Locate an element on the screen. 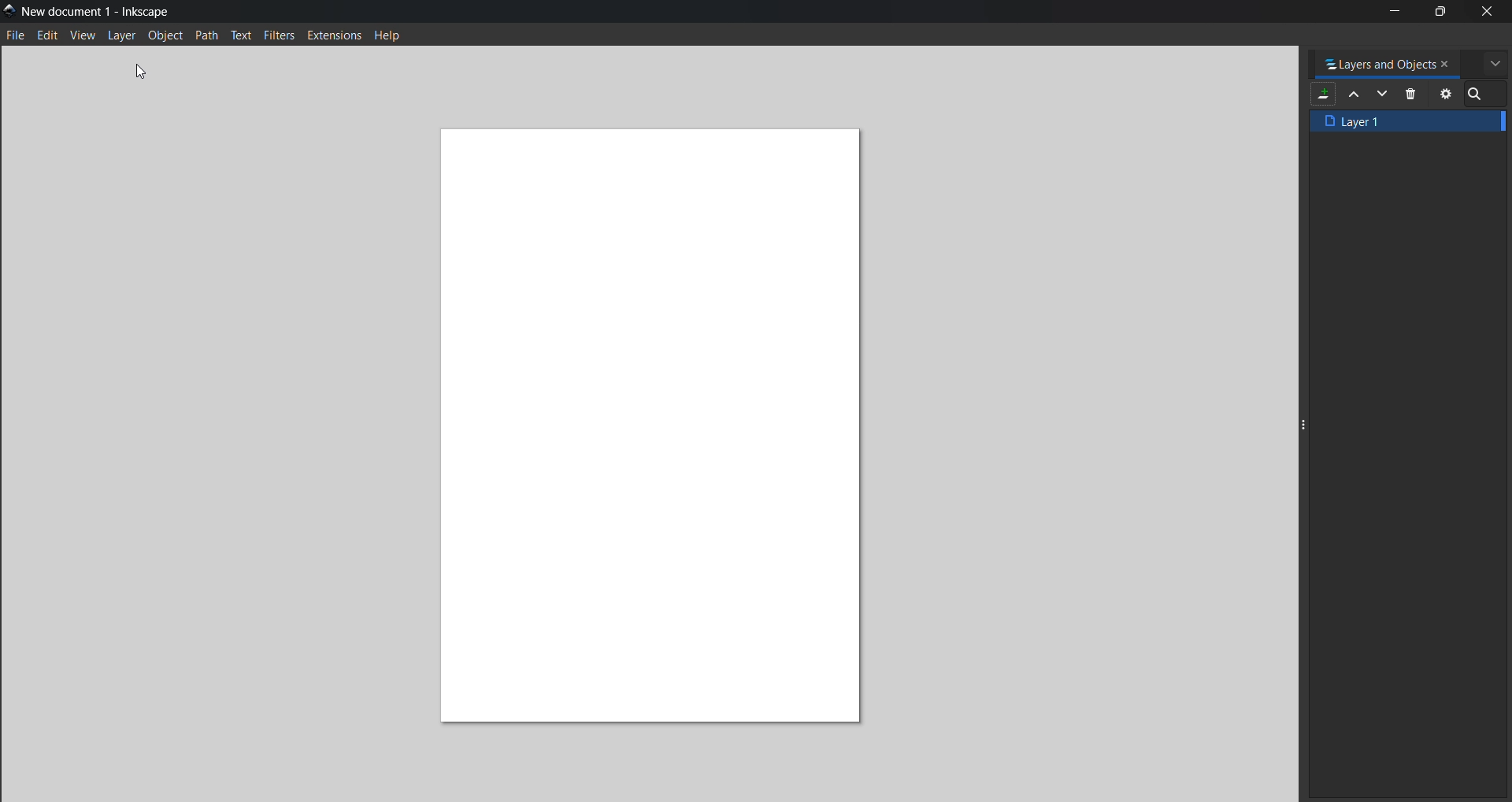 The width and height of the screenshot is (1512, 802). canvas is located at coordinates (654, 429).